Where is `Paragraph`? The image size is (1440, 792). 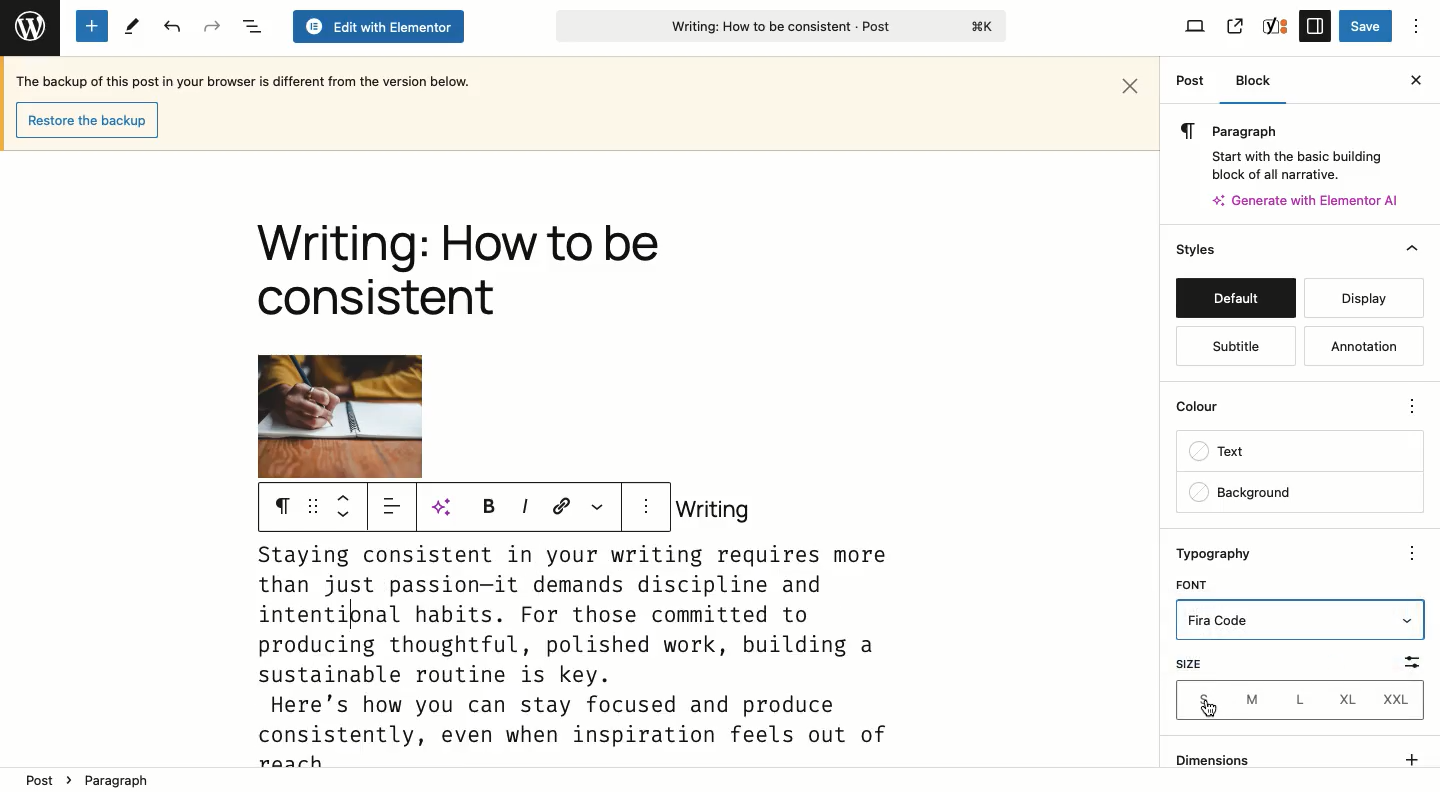 Paragraph is located at coordinates (282, 507).